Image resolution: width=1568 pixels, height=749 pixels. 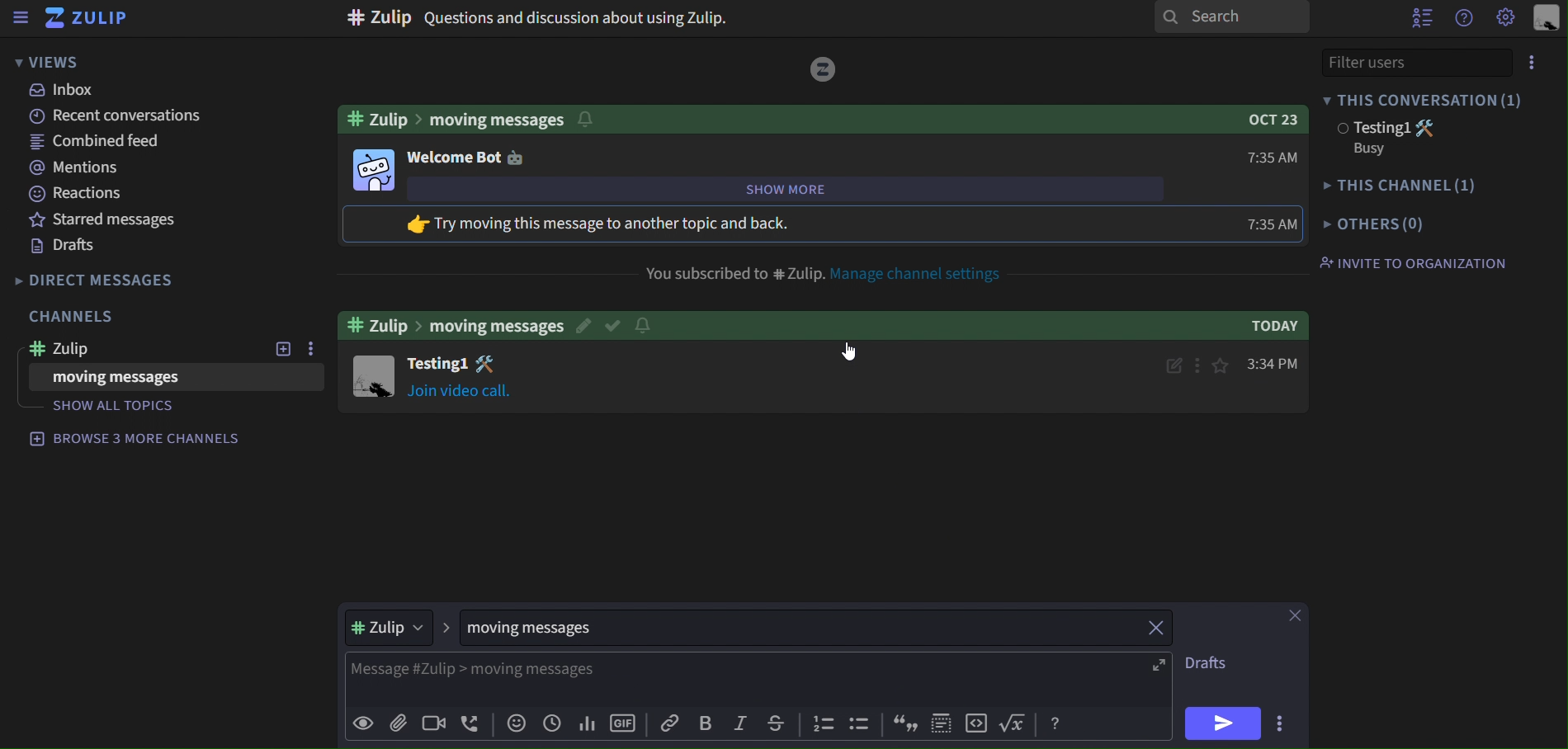 What do you see at coordinates (1159, 663) in the screenshot?
I see `expand fullscreen` at bounding box center [1159, 663].